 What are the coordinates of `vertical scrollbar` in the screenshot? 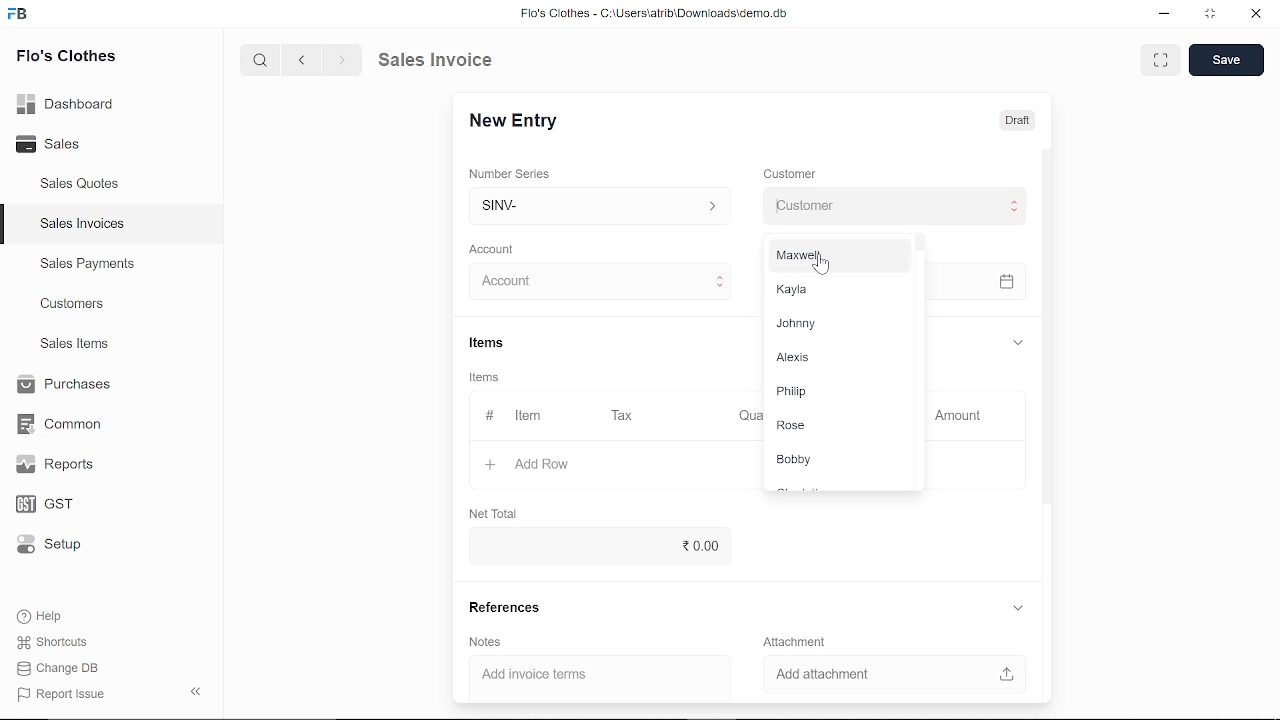 It's located at (1050, 325).